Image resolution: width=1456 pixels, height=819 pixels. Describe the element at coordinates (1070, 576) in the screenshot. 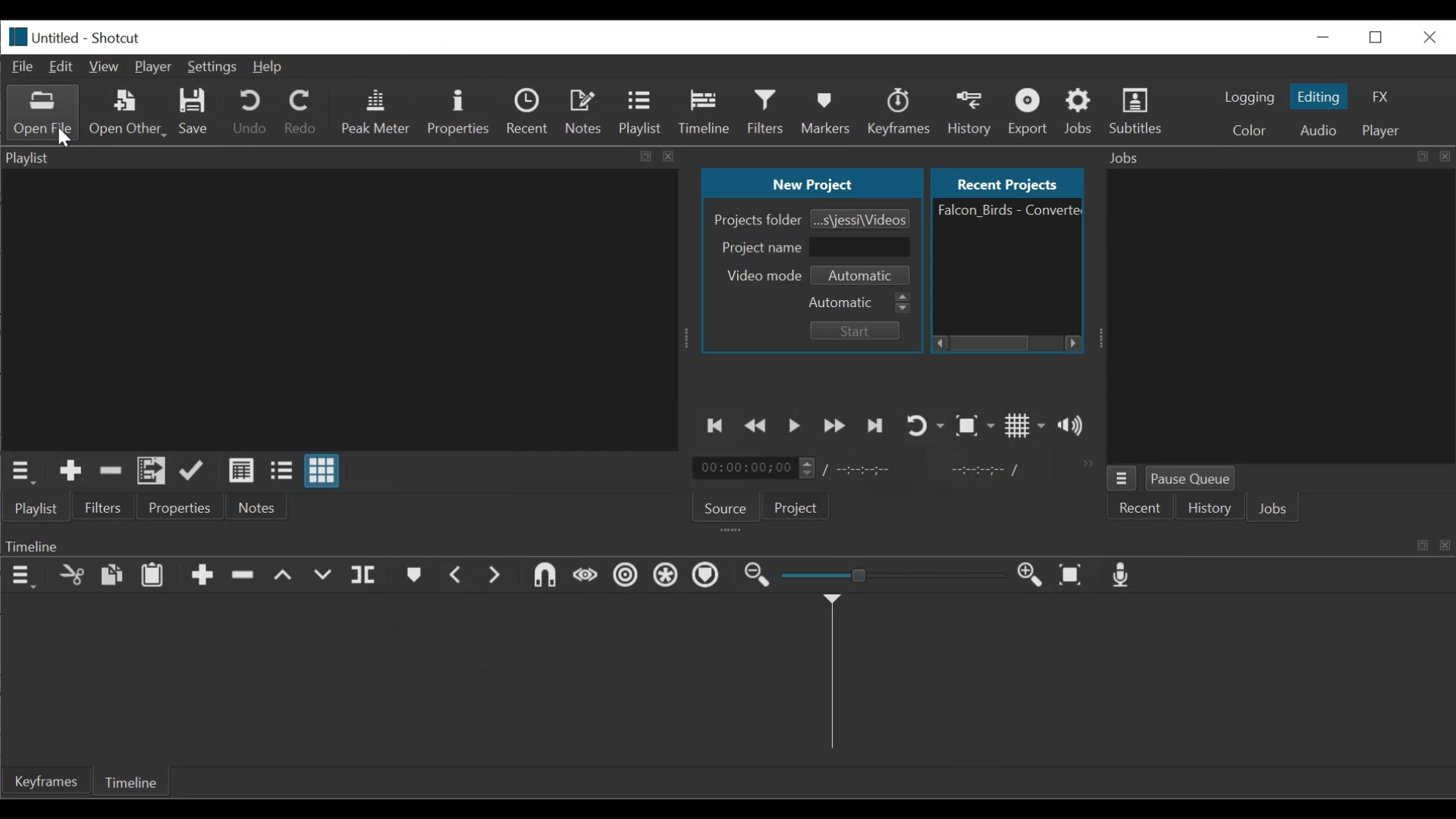

I see `Zoom timeline to fit` at that location.